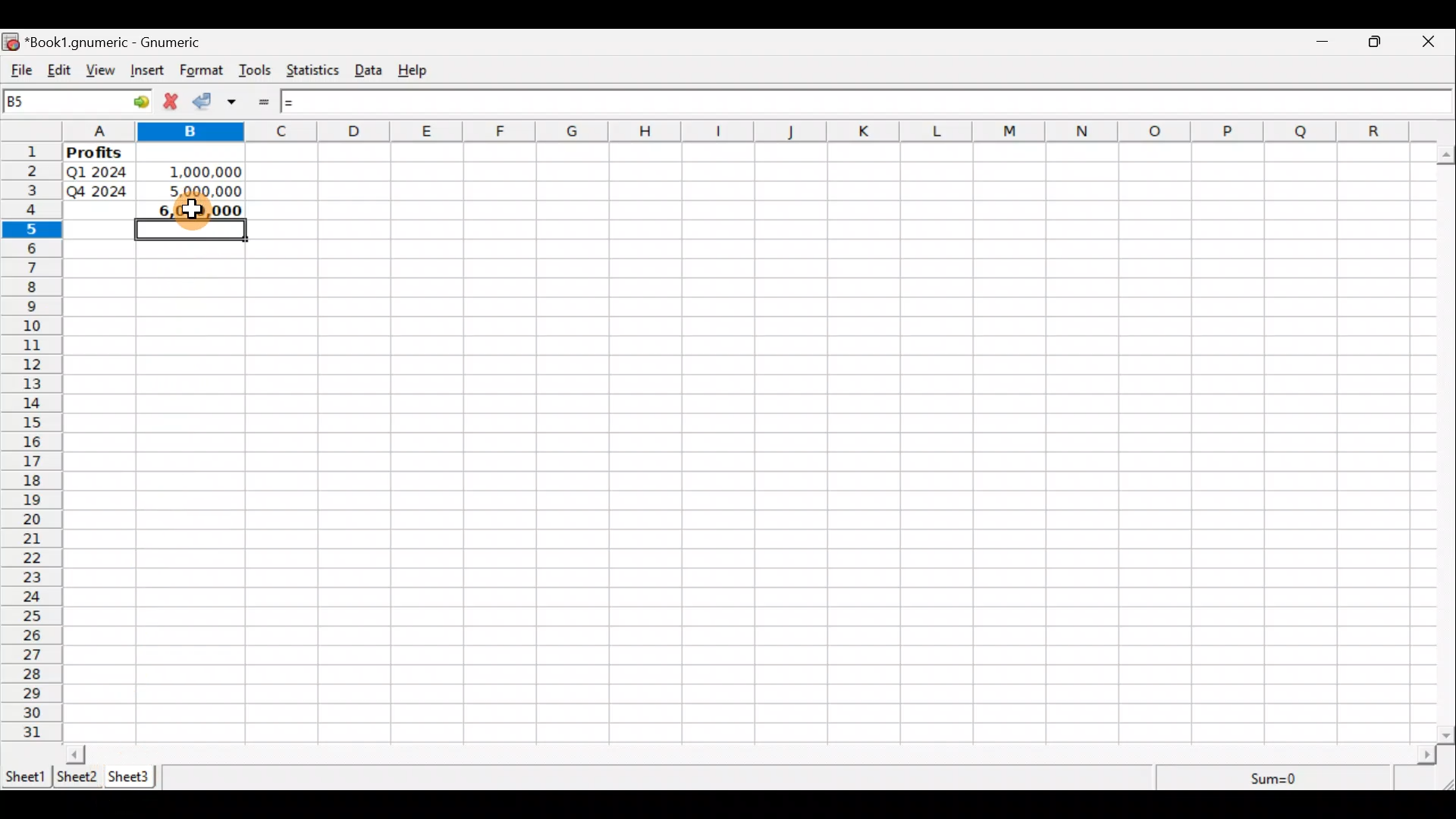 The image size is (1456, 819). I want to click on Cursor hovering on cell B4, so click(221, 209).